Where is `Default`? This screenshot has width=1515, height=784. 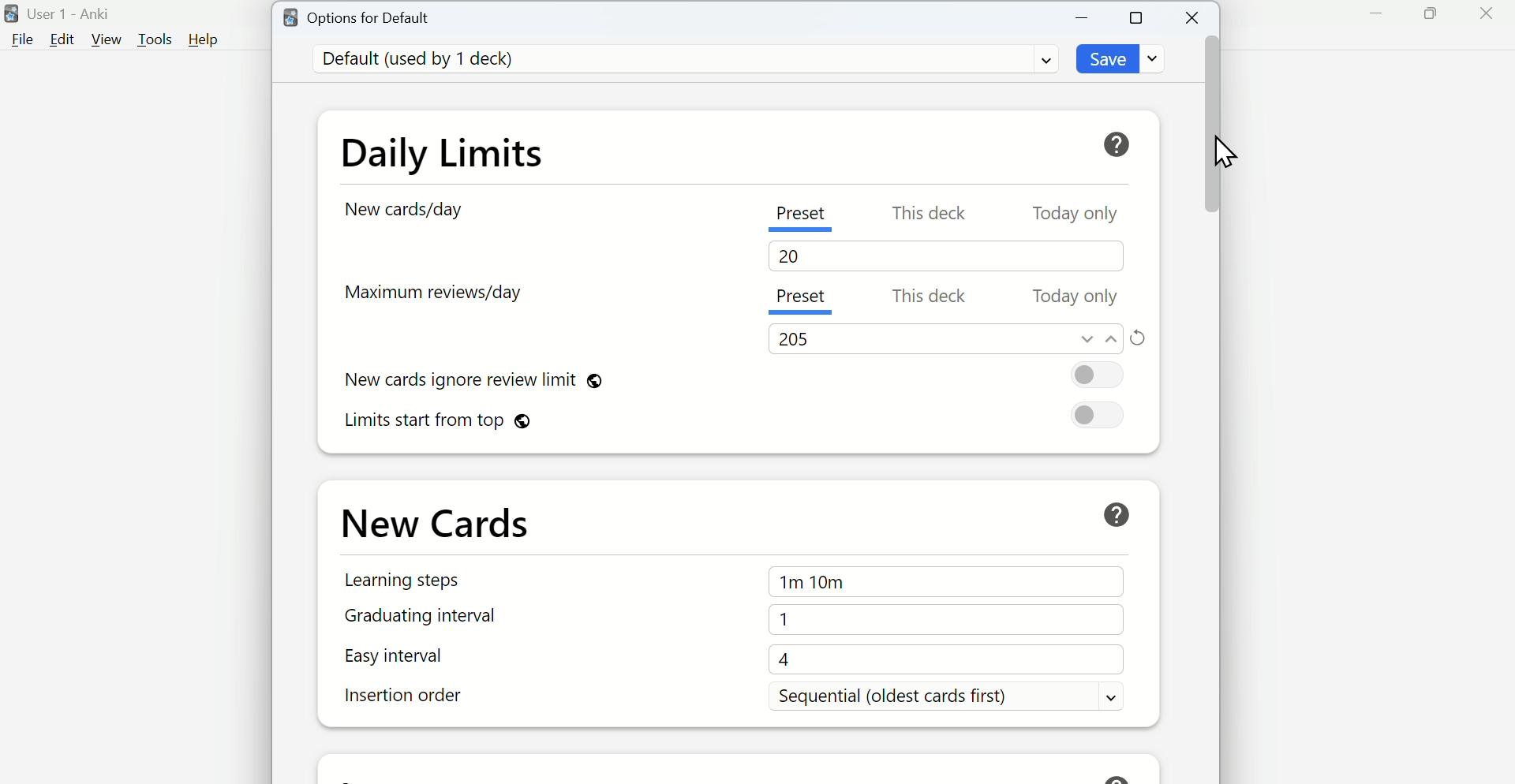 Default is located at coordinates (683, 59).